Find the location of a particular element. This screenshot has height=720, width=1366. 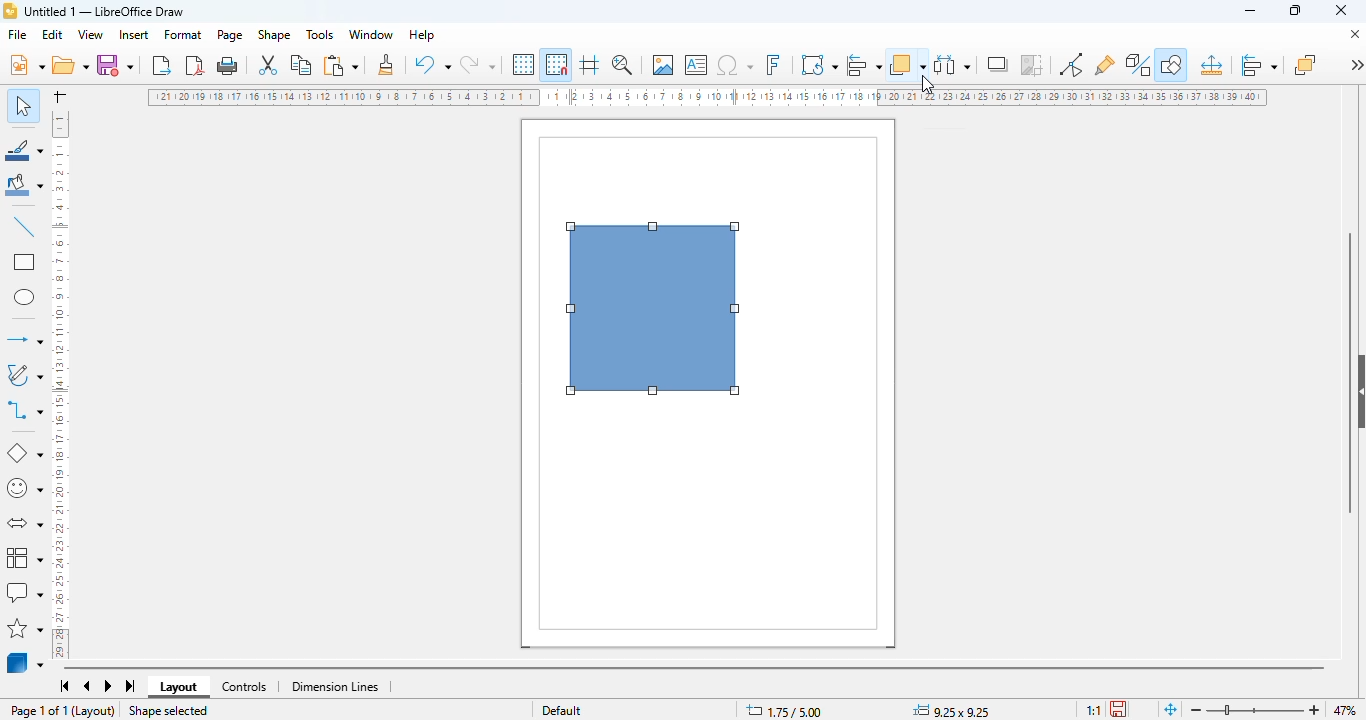

position and size is located at coordinates (1211, 65).